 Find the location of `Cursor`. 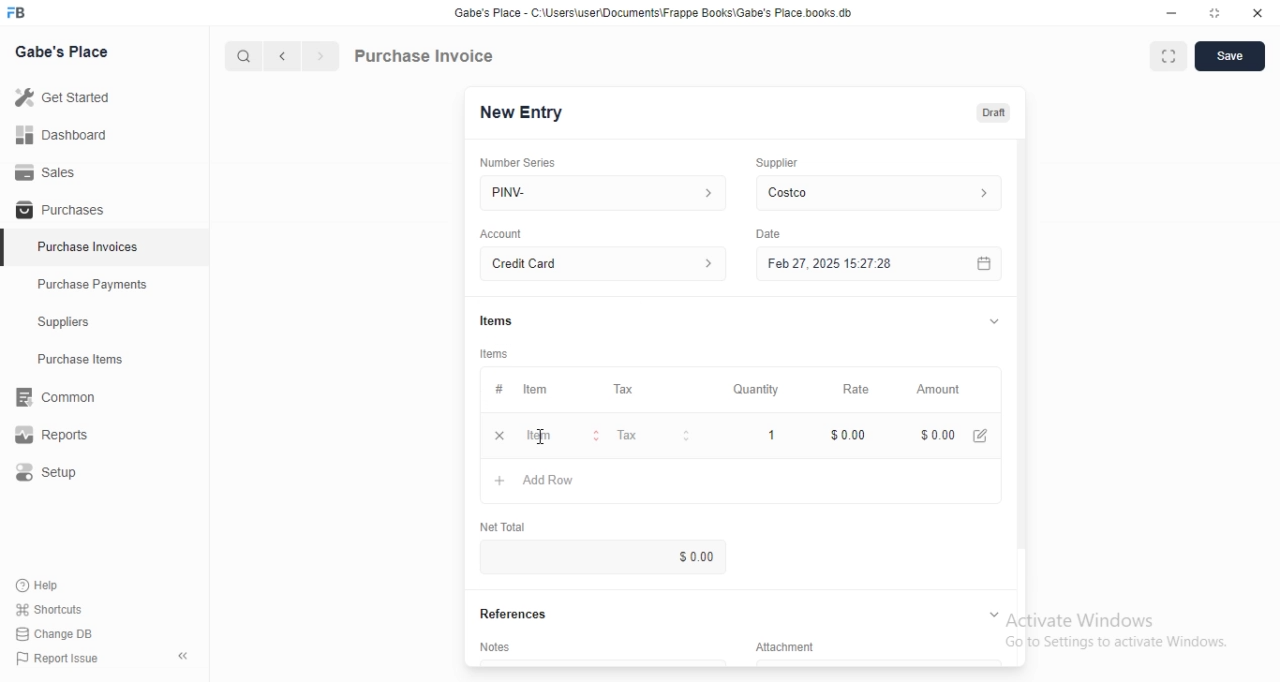

Cursor is located at coordinates (540, 436).